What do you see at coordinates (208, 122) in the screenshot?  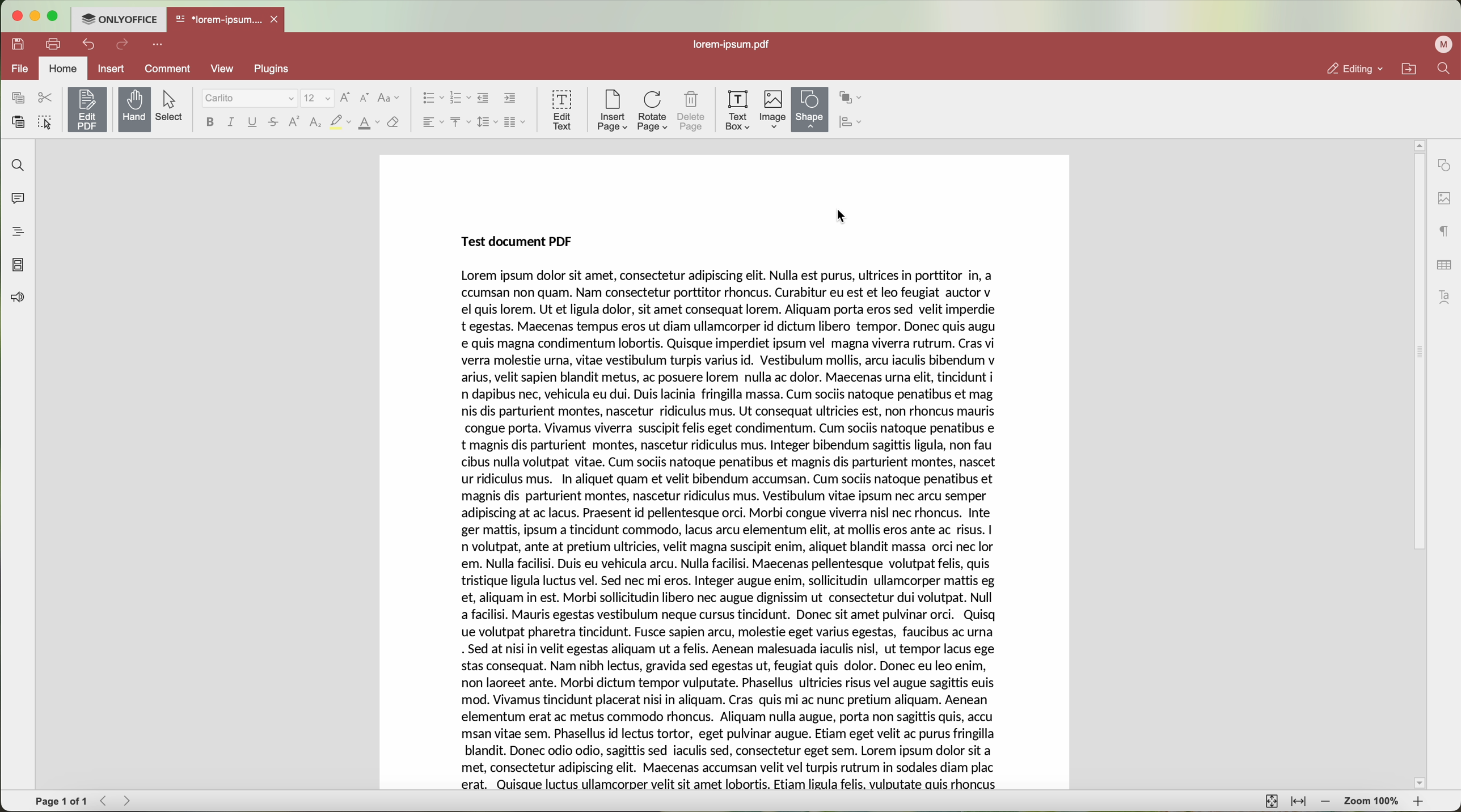 I see `bold` at bounding box center [208, 122].